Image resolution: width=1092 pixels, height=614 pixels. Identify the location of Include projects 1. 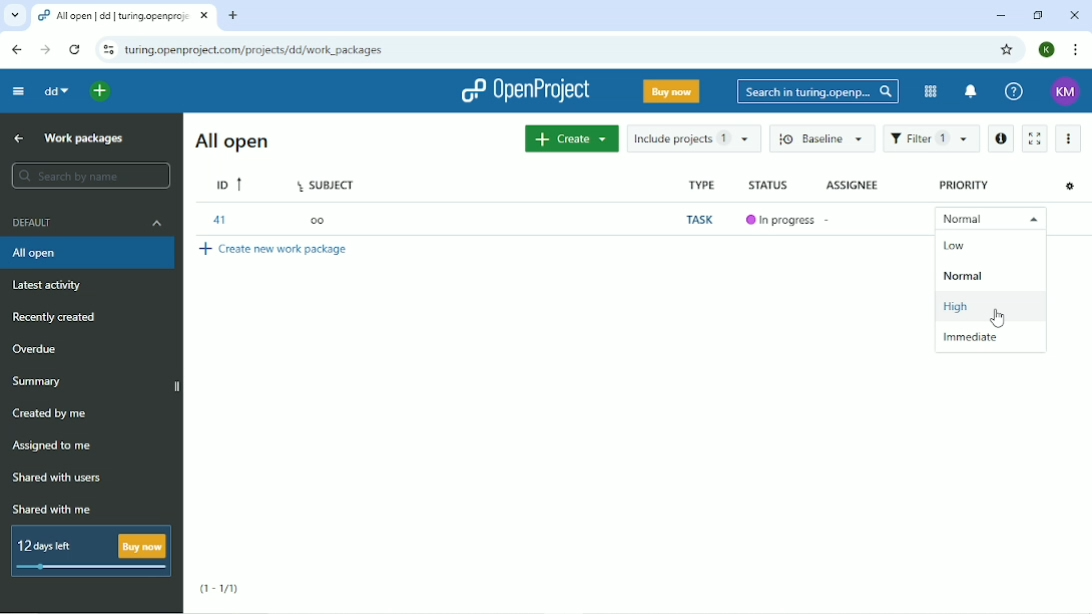
(694, 139).